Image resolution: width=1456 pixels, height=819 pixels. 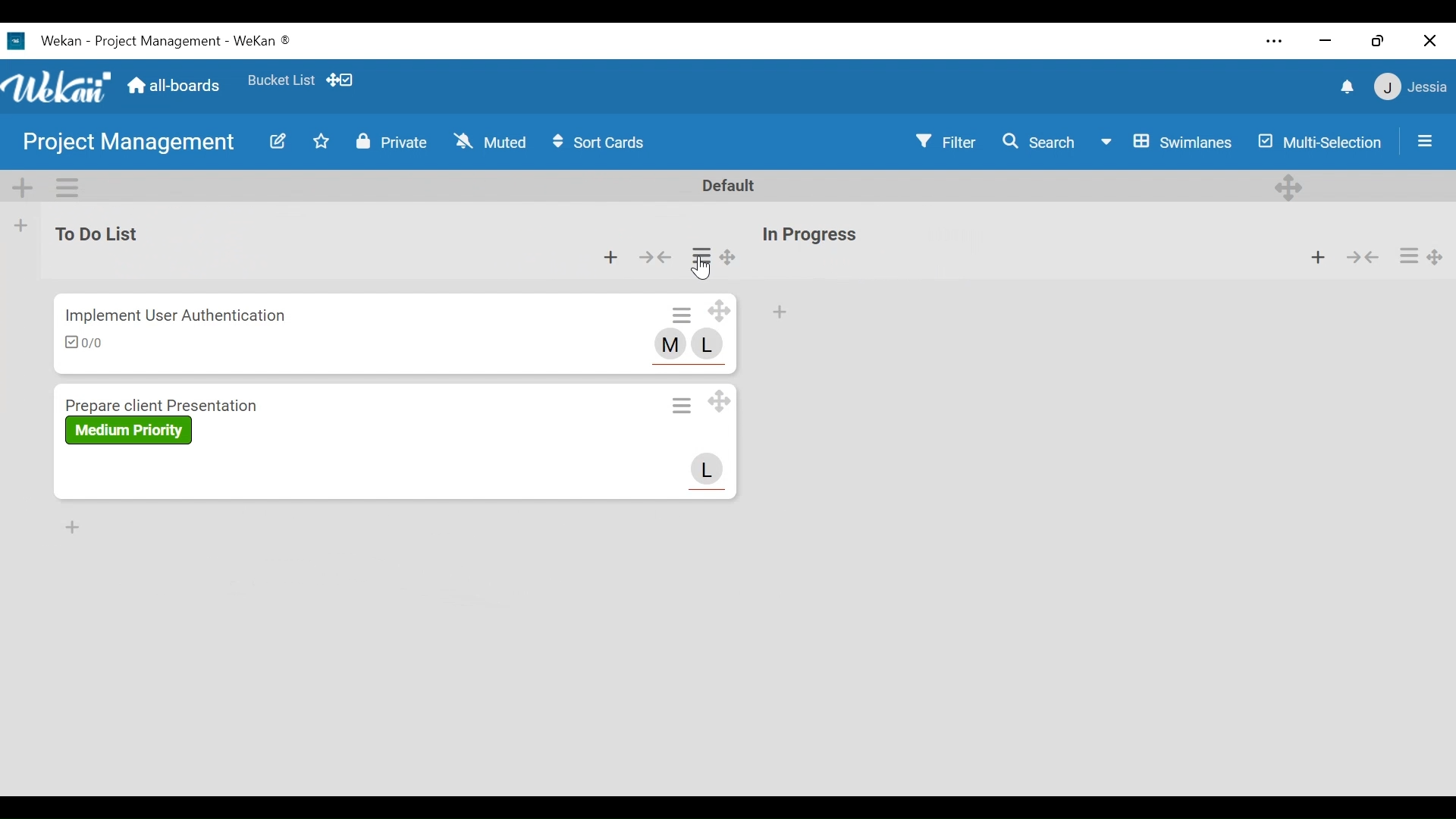 I want to click on Multi-Selection, so click(x=1318, y=142).